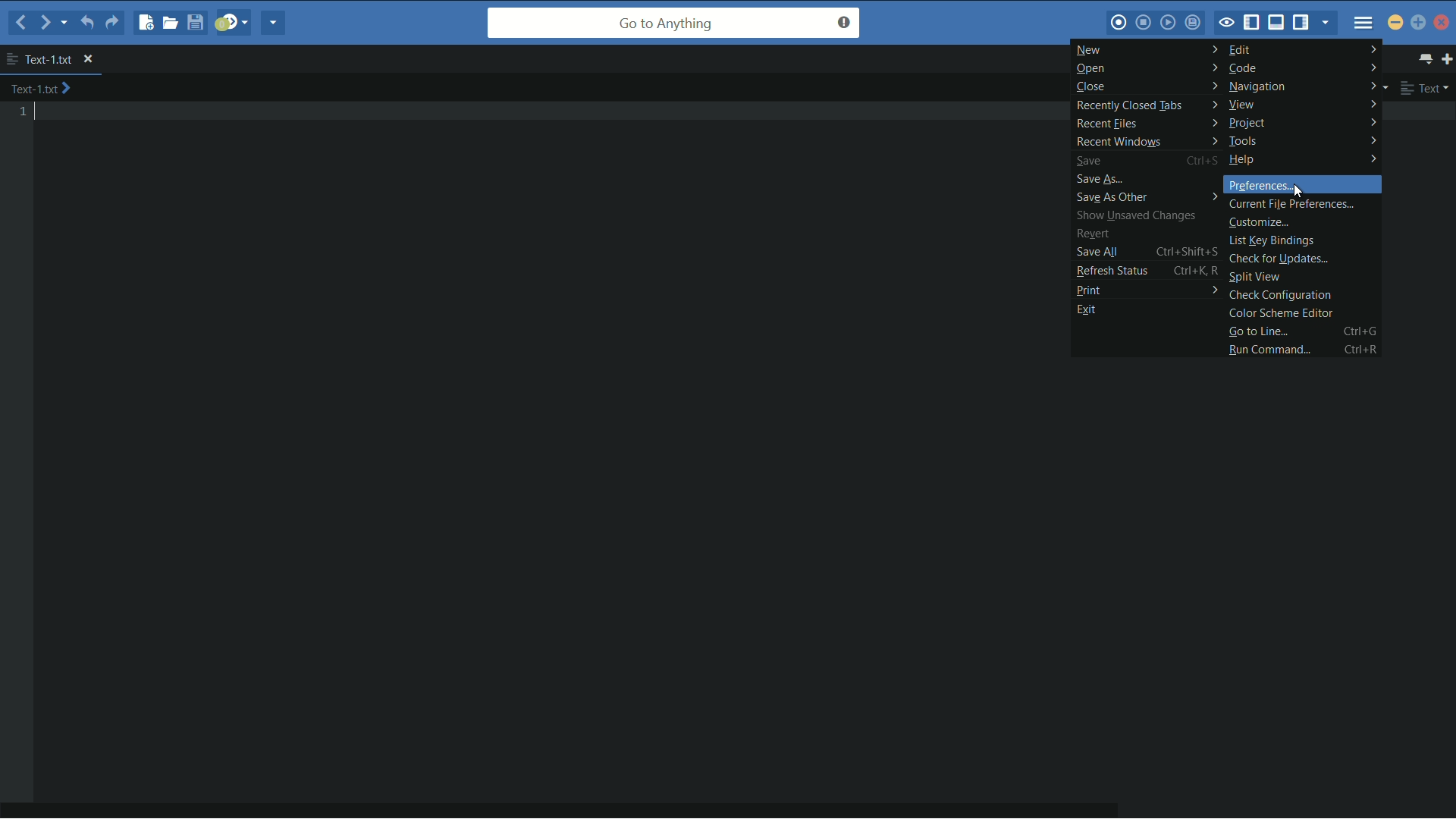 This screenshot has width=1456, height=819. What do you see at coordinates (1301, 141) in the screenshot?
I see `tools` at bounding box center [1301, 141].